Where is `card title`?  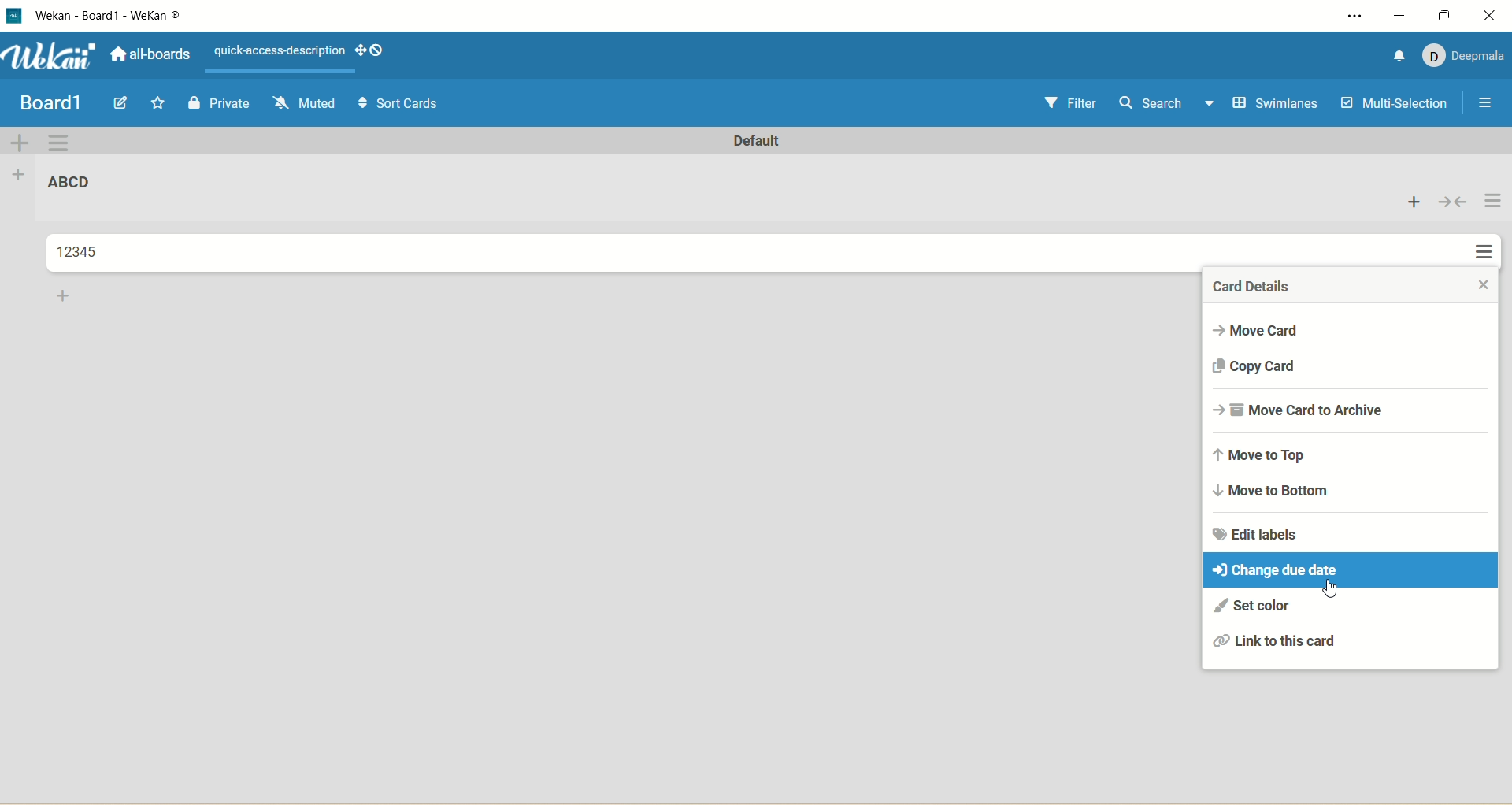
card title is located at coordinates (80, 252).